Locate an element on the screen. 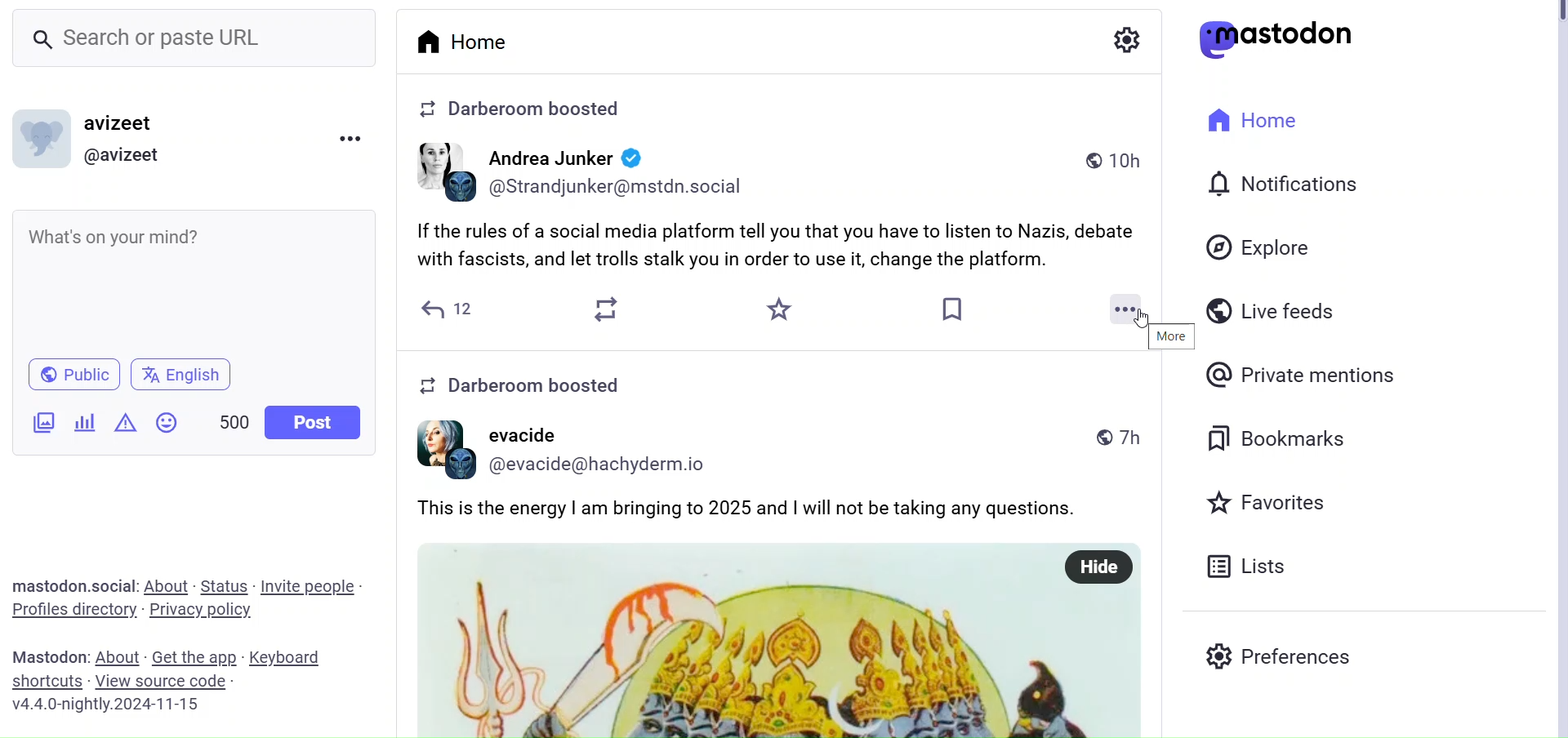 The height and width of the screenshot is (738, 1568). @ Profile Name is located at coordinates (126, 156).